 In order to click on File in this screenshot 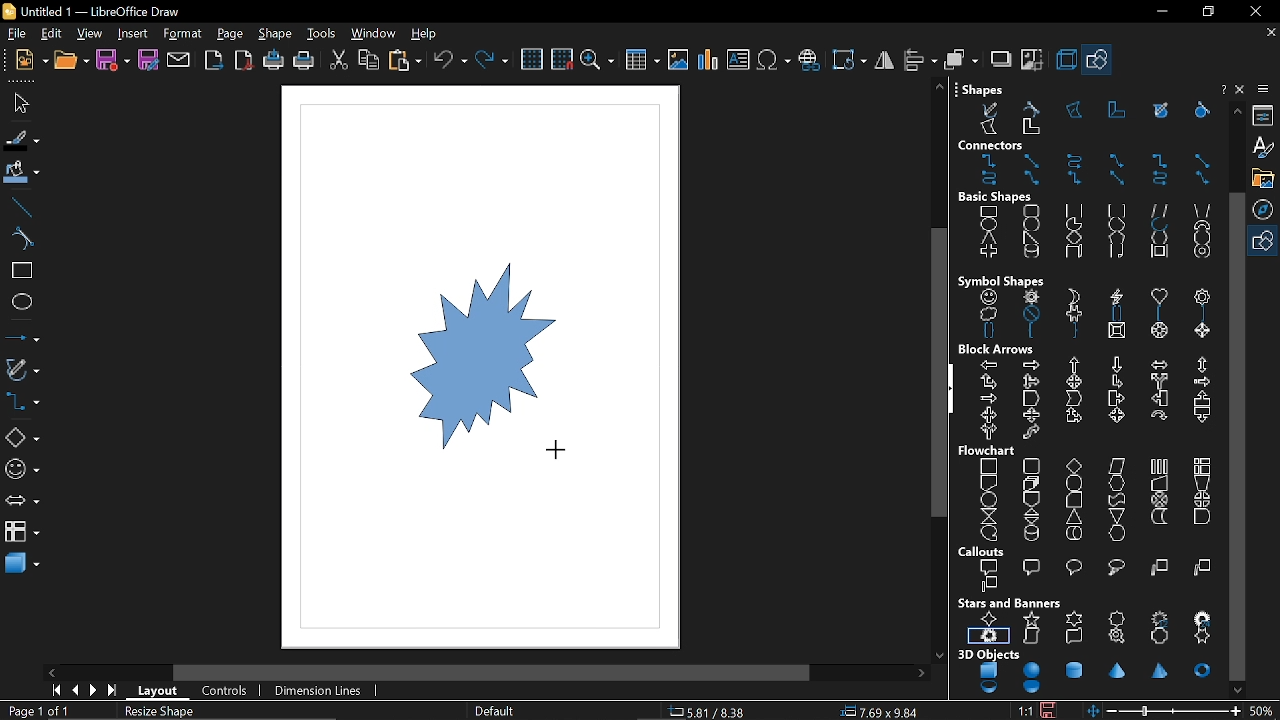, I will do `click(17, 35)`.